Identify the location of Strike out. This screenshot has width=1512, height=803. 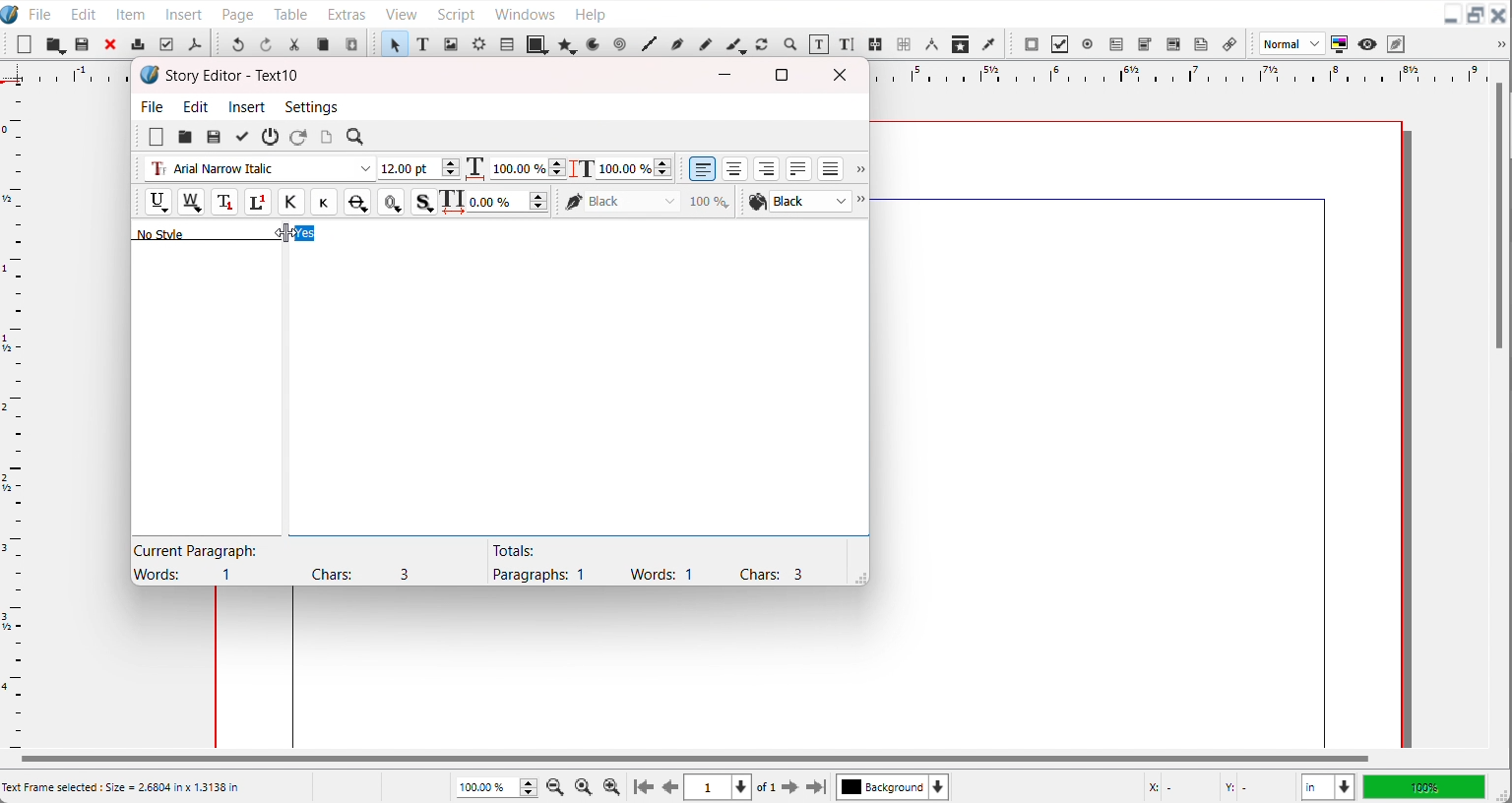
(355, 202).